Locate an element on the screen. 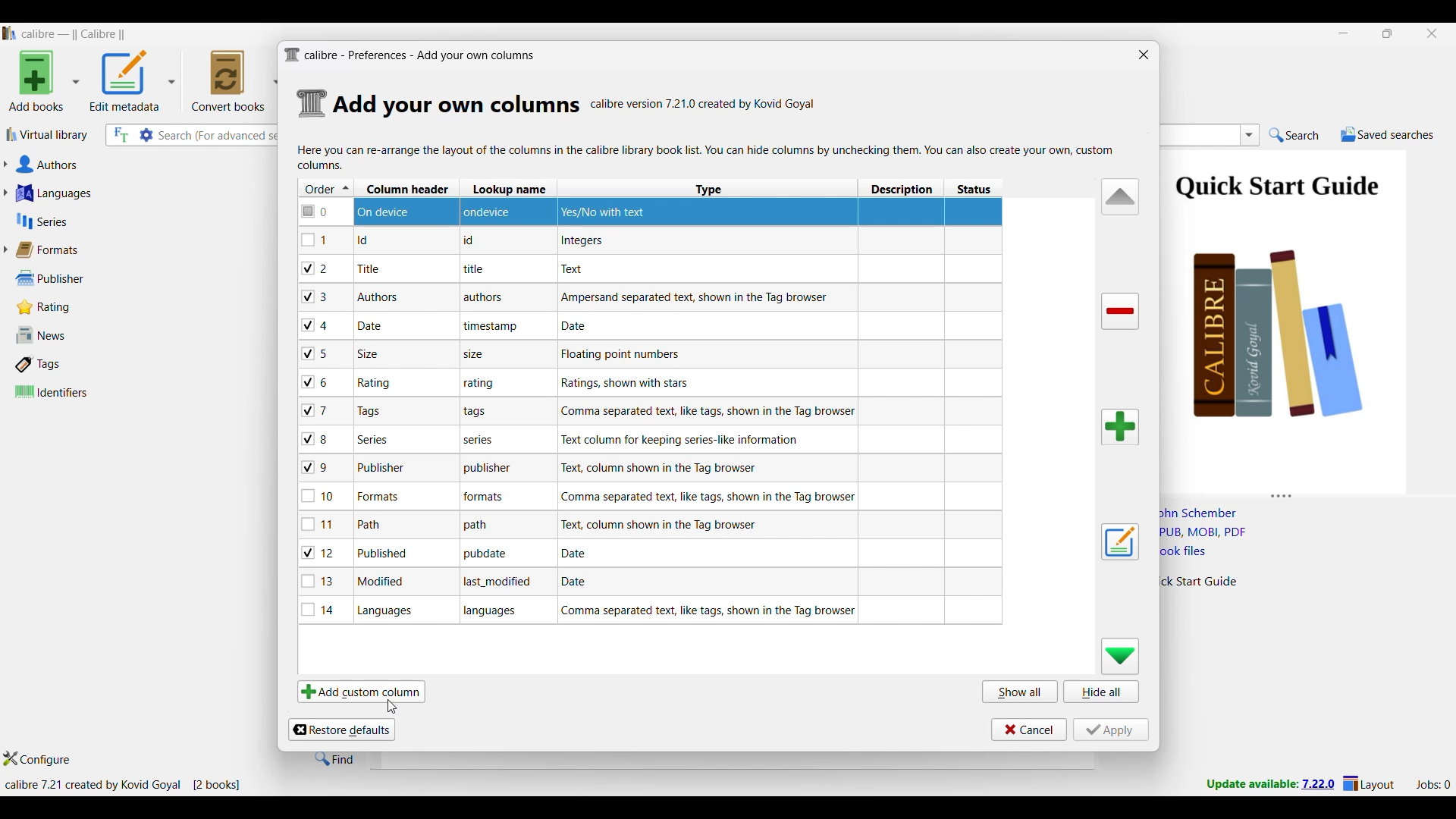 The image size is (1456, 819). Column highlighted is located at coordinates (937, 212).